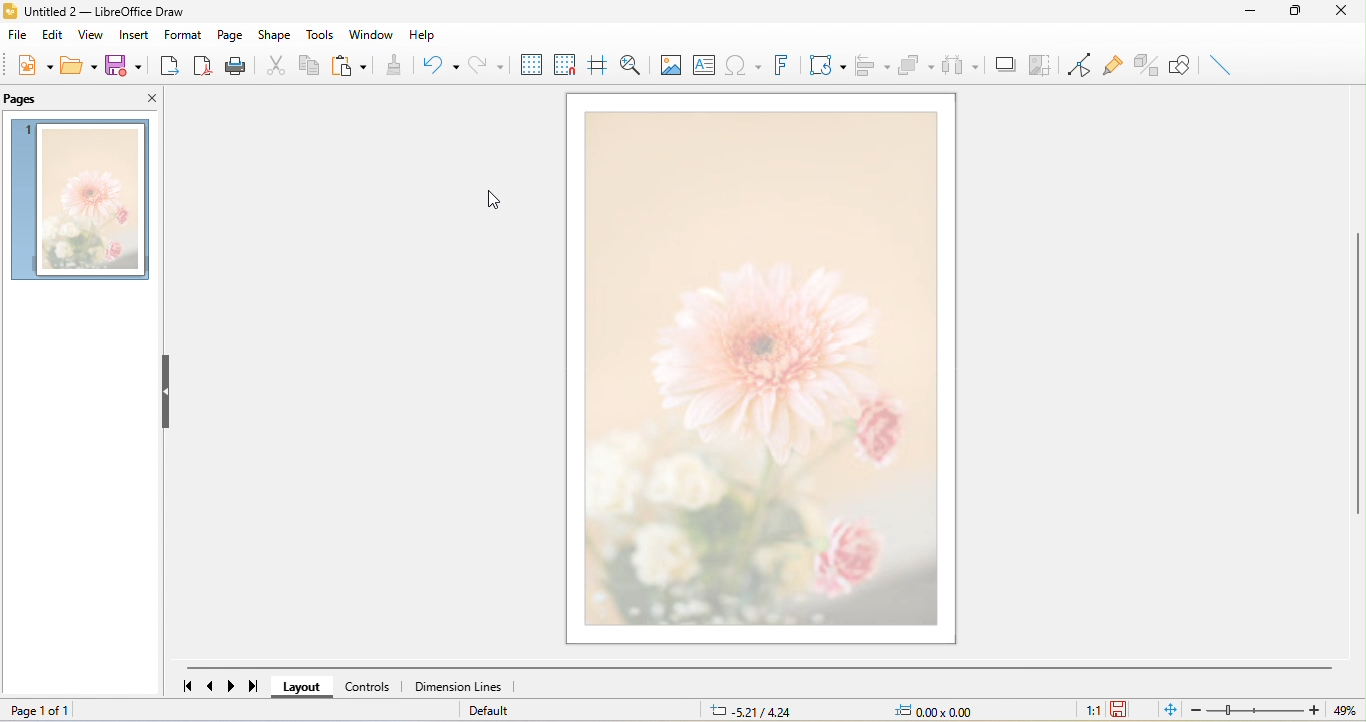 This screenshot has width=1366, height=722. What do you see at coordinates (1221, 64) in the screenshot?
I see `insert line` at bounding box center [1221, 64].